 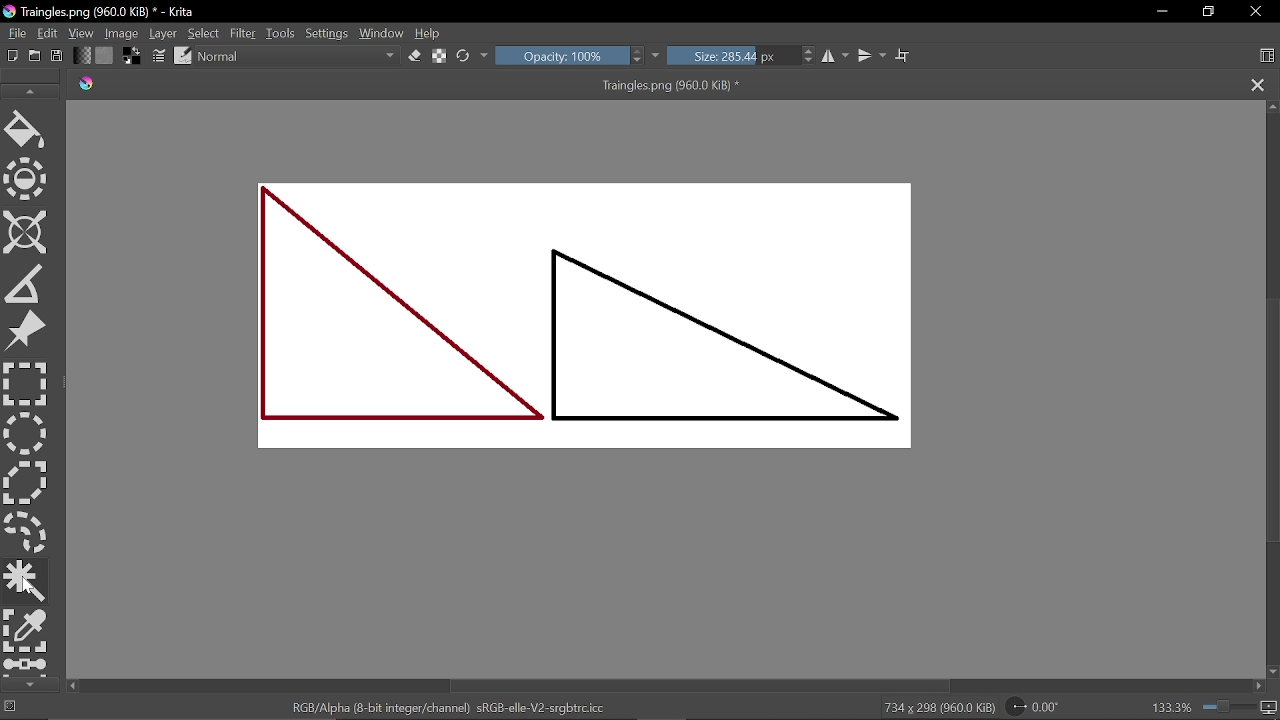 What do you see at coordinates (11, 708) in the screenshot?
I see `No selection` at bounding box center [11, 708].